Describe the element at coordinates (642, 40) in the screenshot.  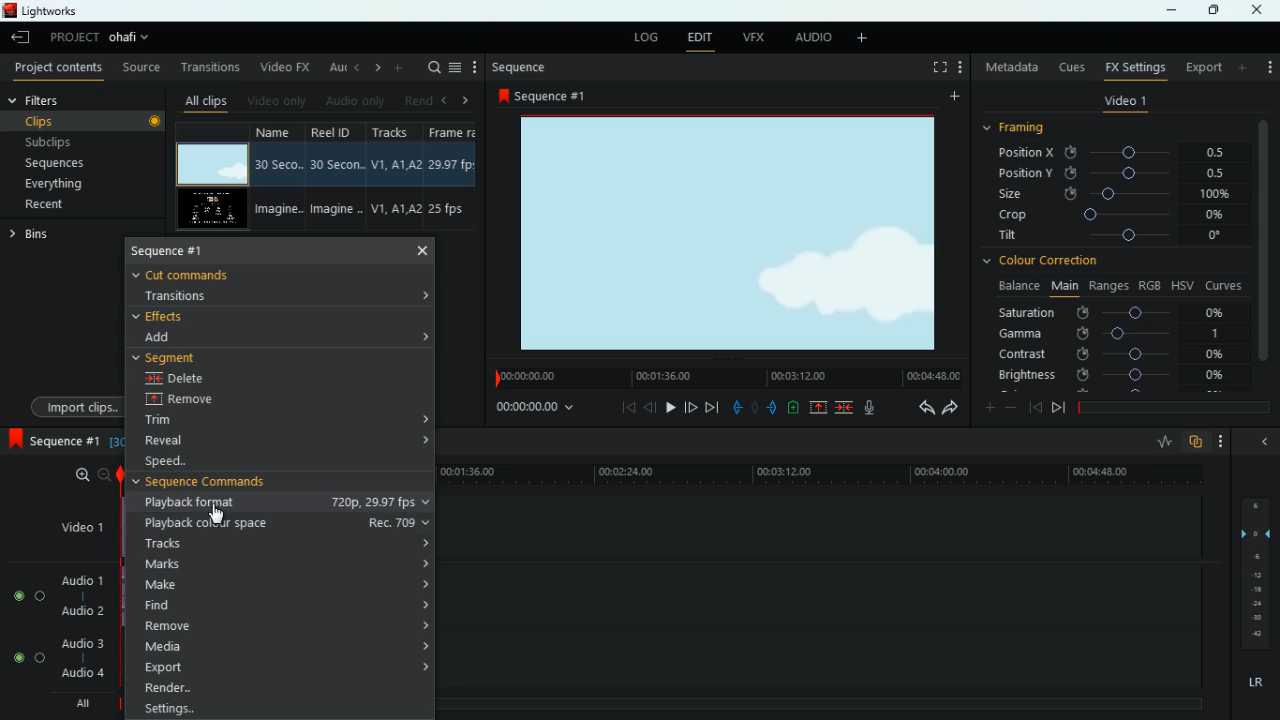
I see `log` at that location.